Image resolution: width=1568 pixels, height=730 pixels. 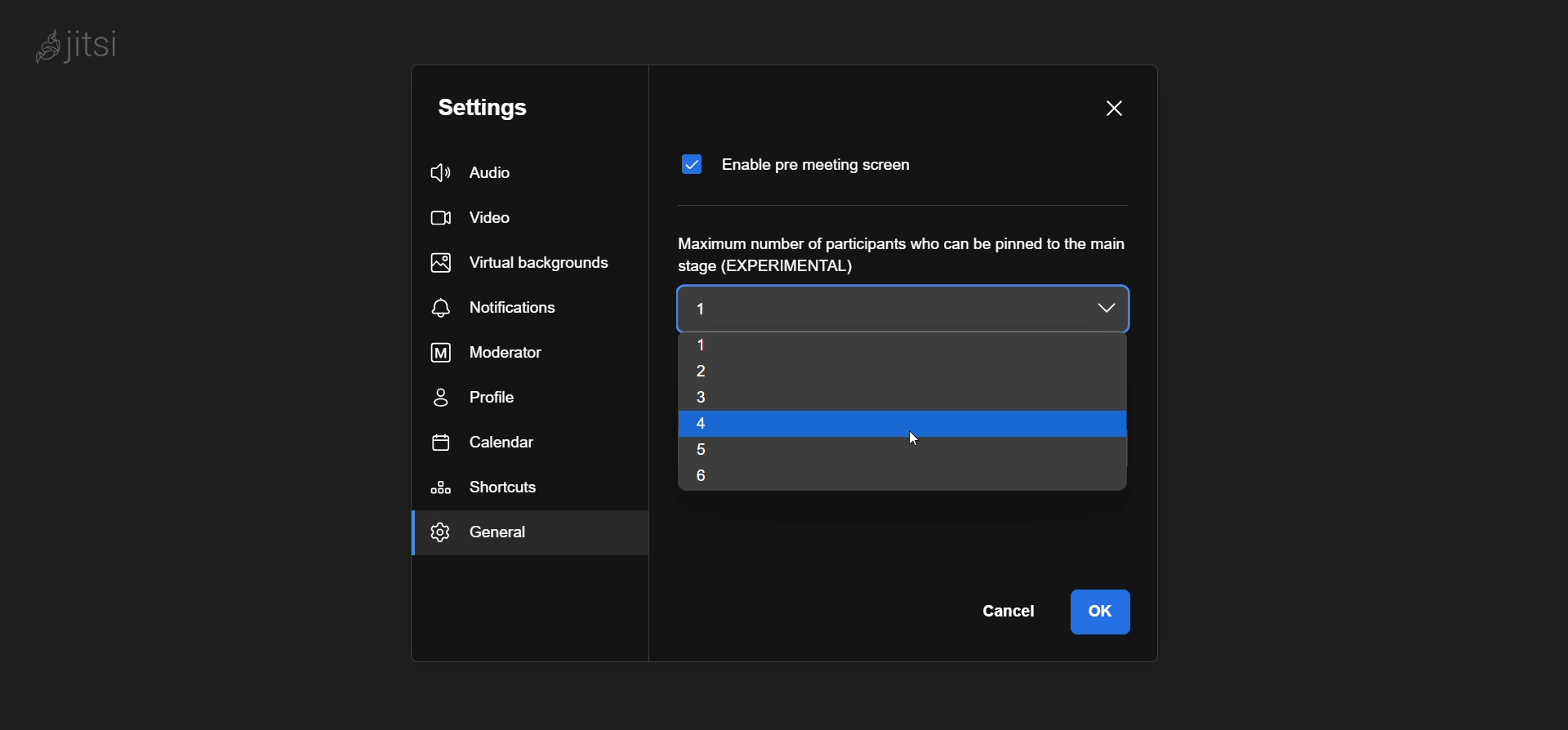 I want to click on general, so click(x=501, y=536).